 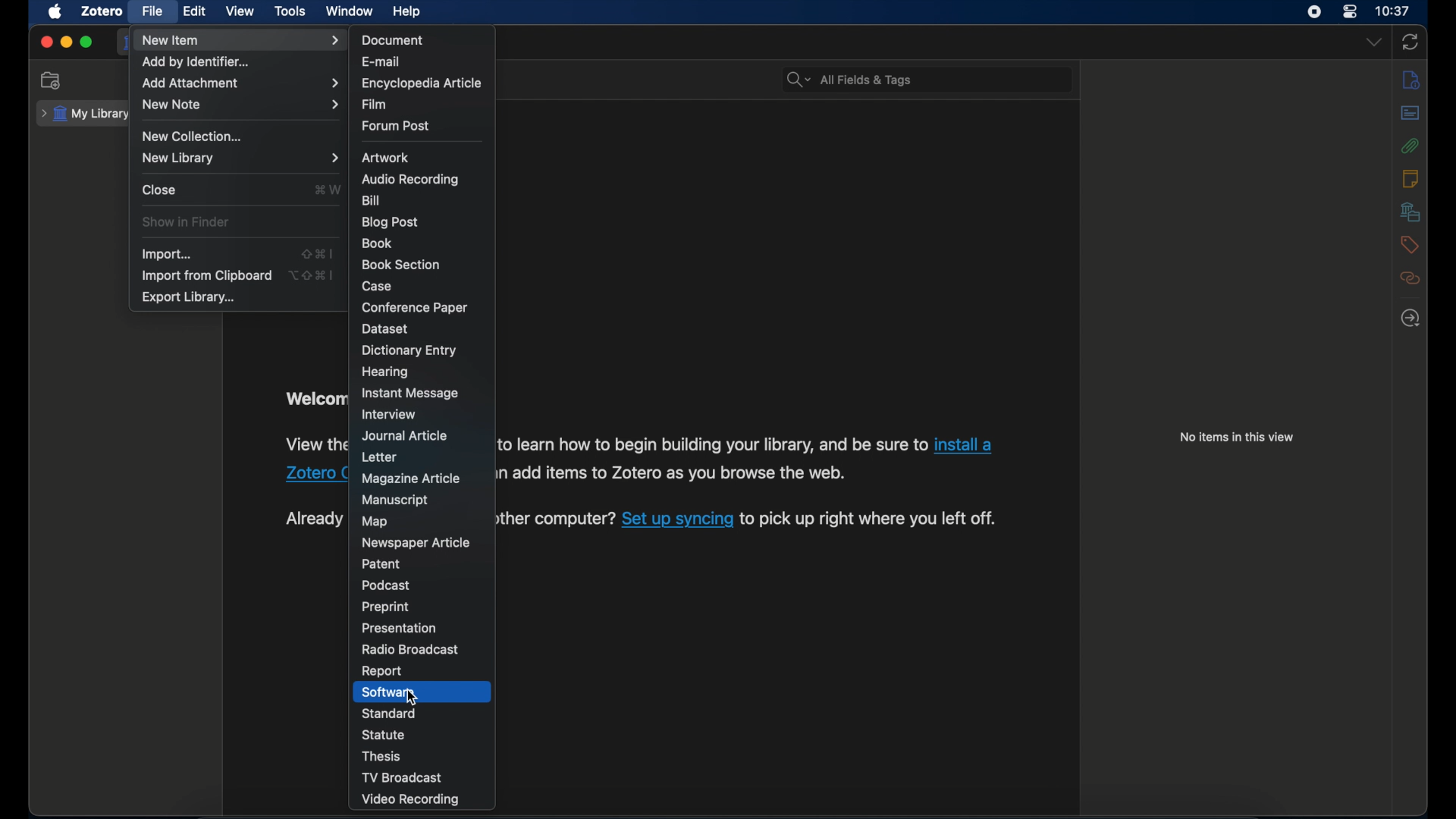 What do you see at coordinates (712, 444) in the screenshot?
I see `software information` at bounding box center [712, 444].